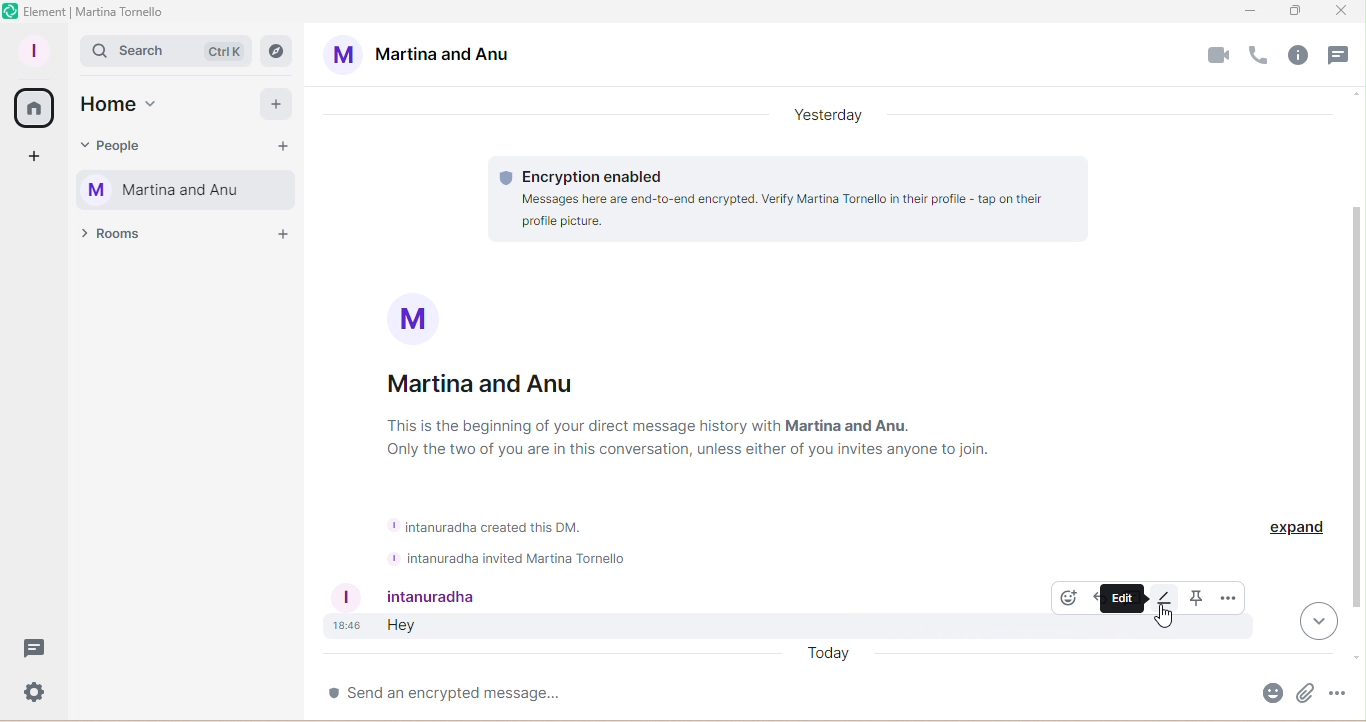  I want to click on Expand, so click(1296, 535).